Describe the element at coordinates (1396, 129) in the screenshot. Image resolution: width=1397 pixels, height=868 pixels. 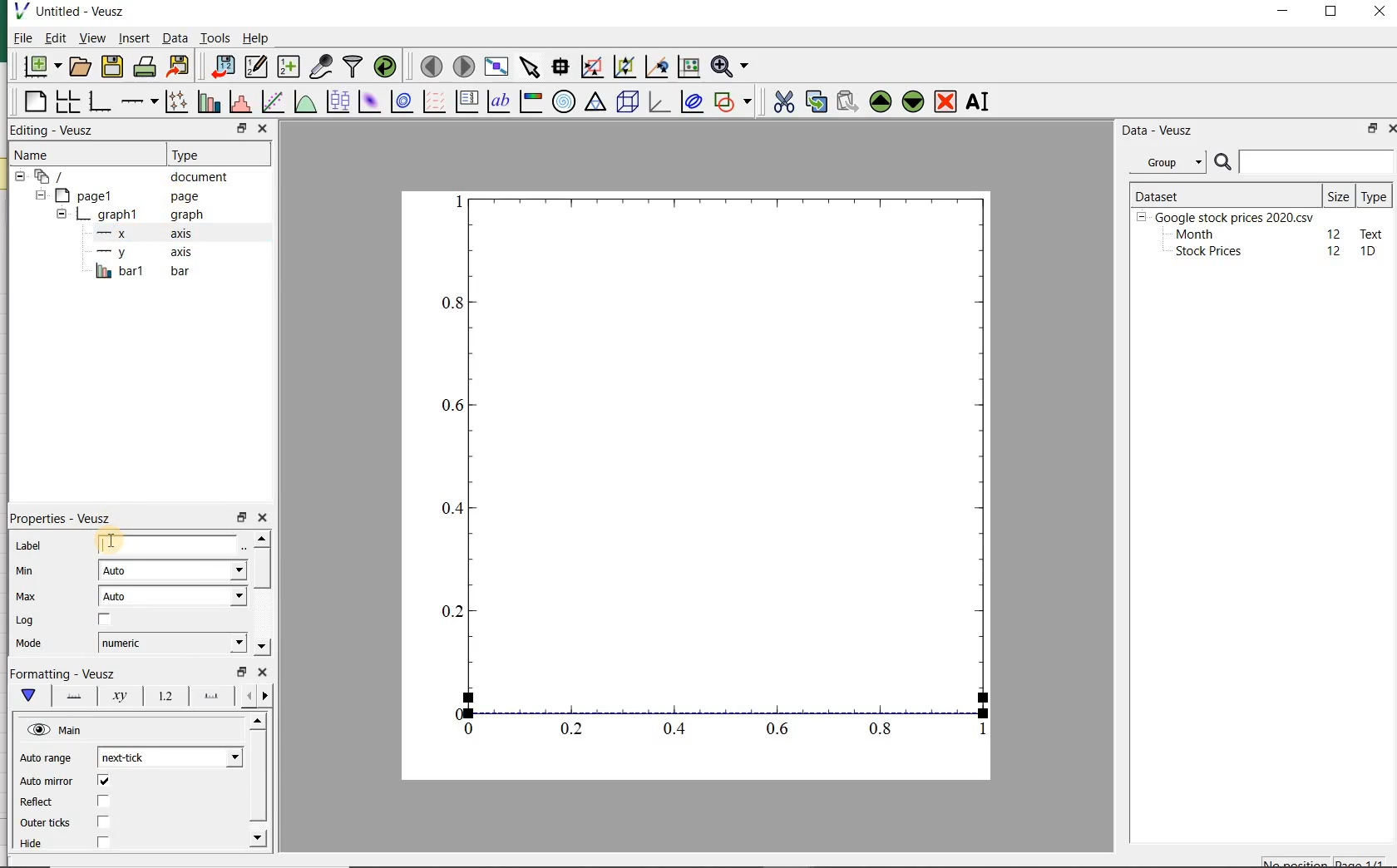
I see `close ` at that location.